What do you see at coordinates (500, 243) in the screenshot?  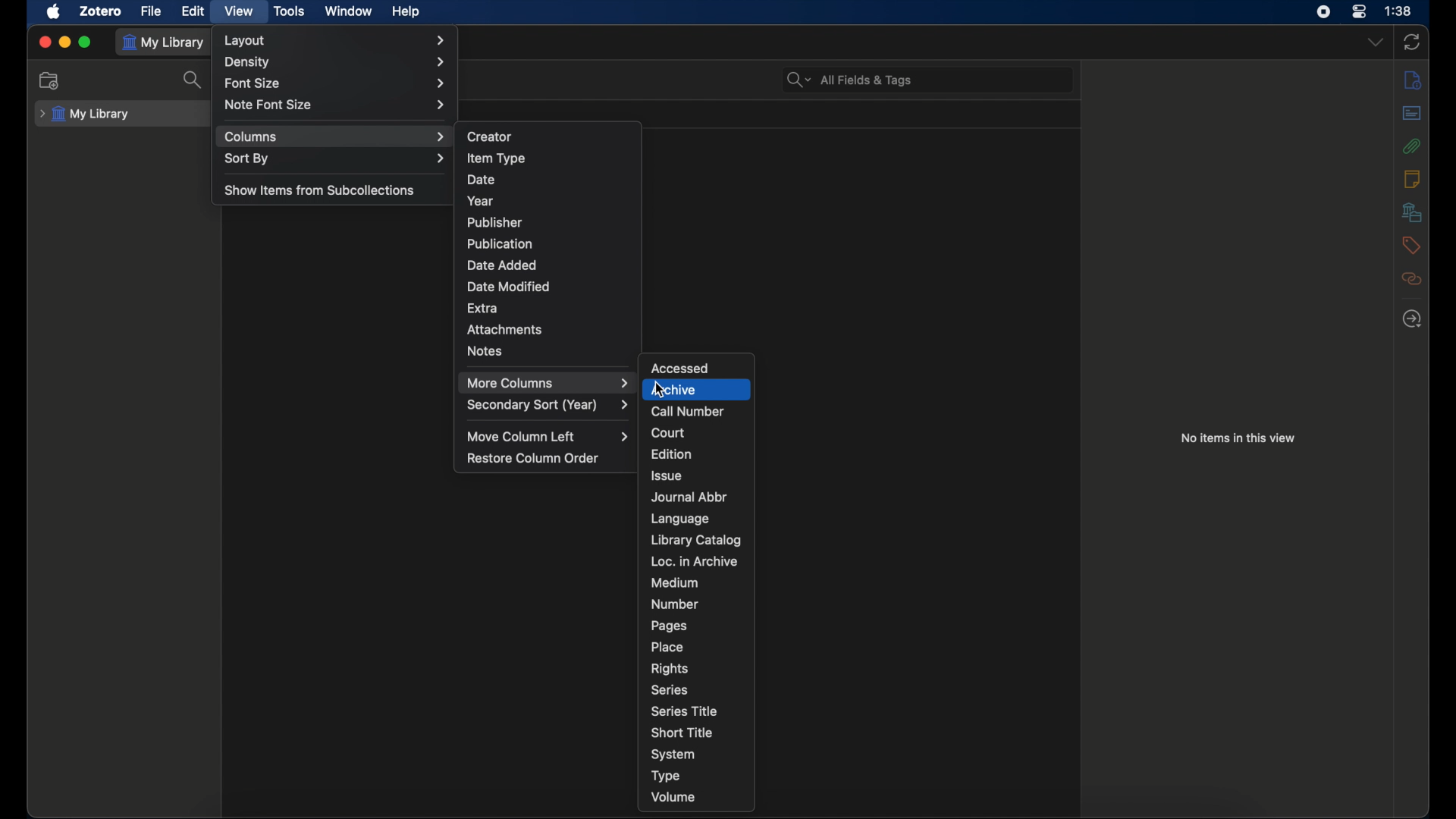 I see `publication` at bounding box center [500, 243].